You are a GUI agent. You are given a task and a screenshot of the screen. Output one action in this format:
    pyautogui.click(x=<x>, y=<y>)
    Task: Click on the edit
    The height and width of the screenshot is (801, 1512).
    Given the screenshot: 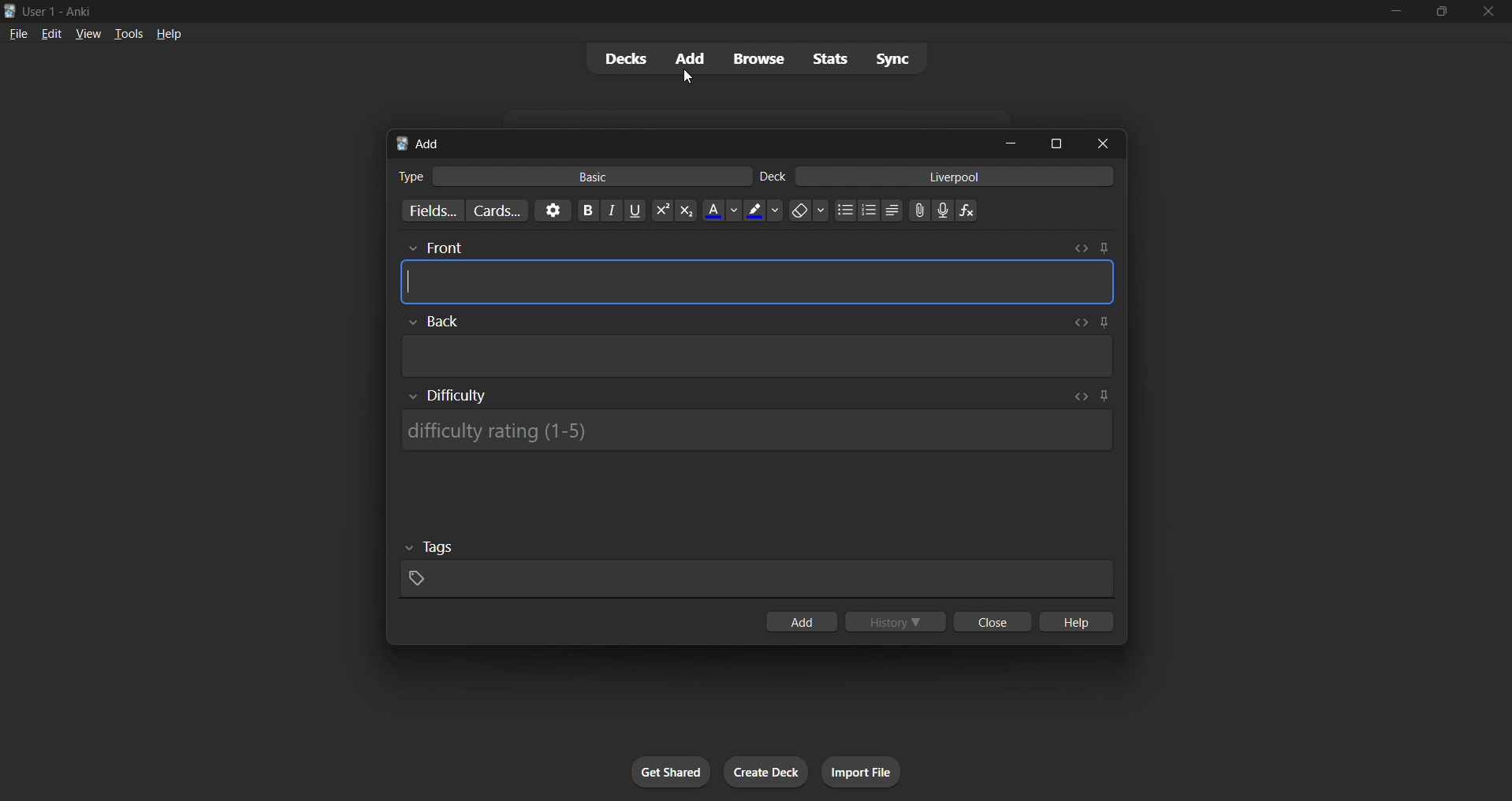 What is the action you would take?
    pyautogui.click(x=47, y=32)
    